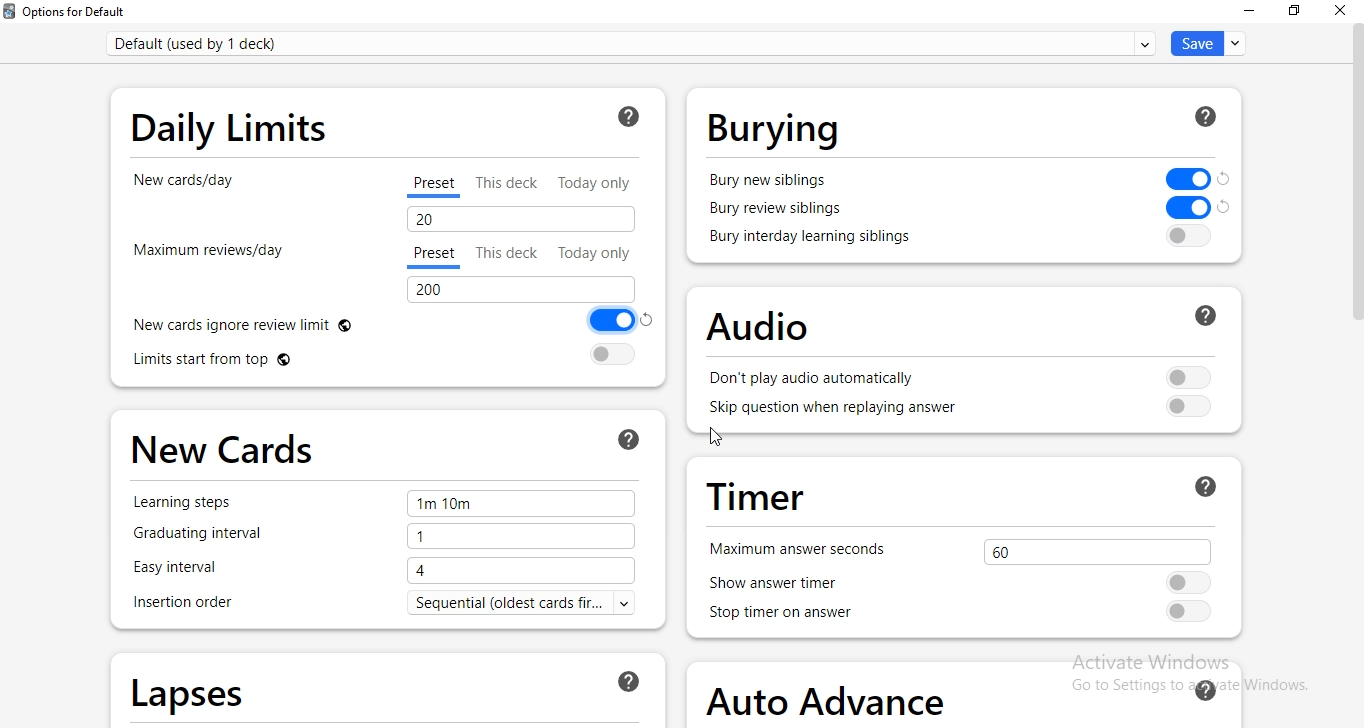  What do you see at coordinates (1205, 43) in the screenshot?
I see `save` at bounding box center [1205, 43].